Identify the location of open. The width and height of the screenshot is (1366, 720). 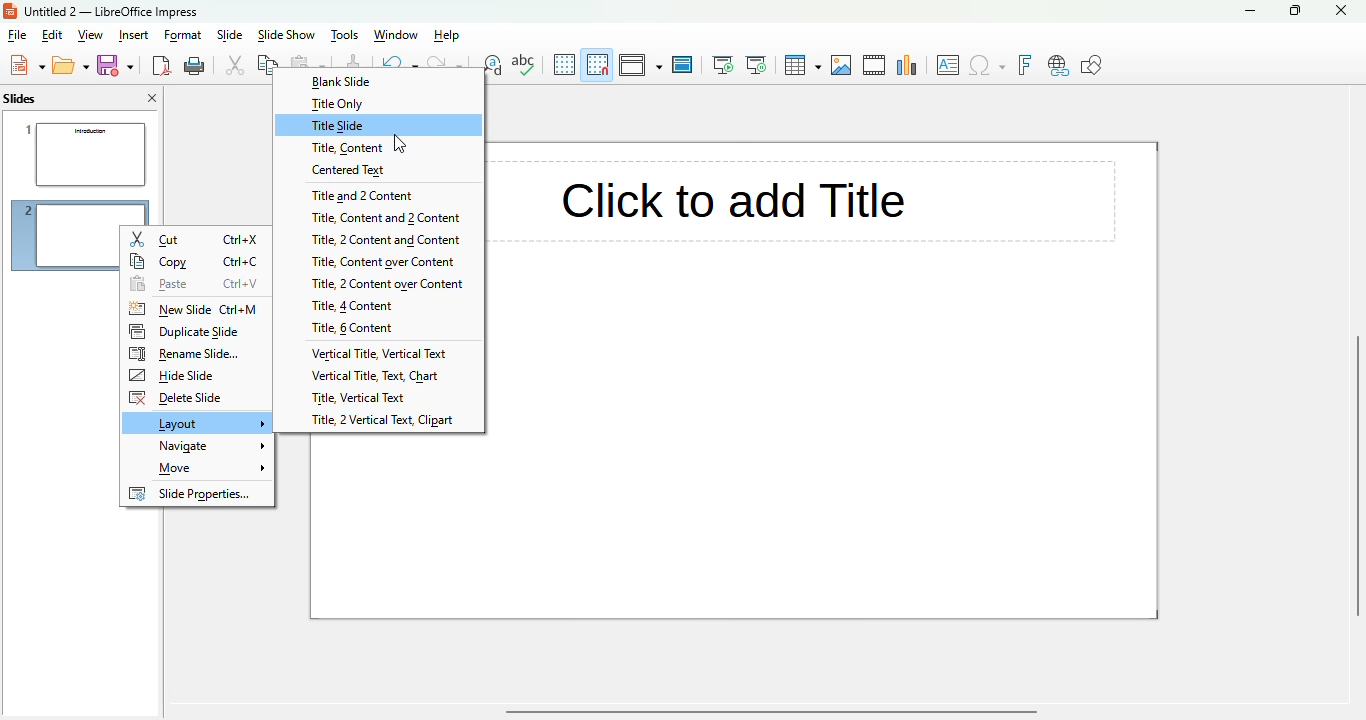
(71, 65).